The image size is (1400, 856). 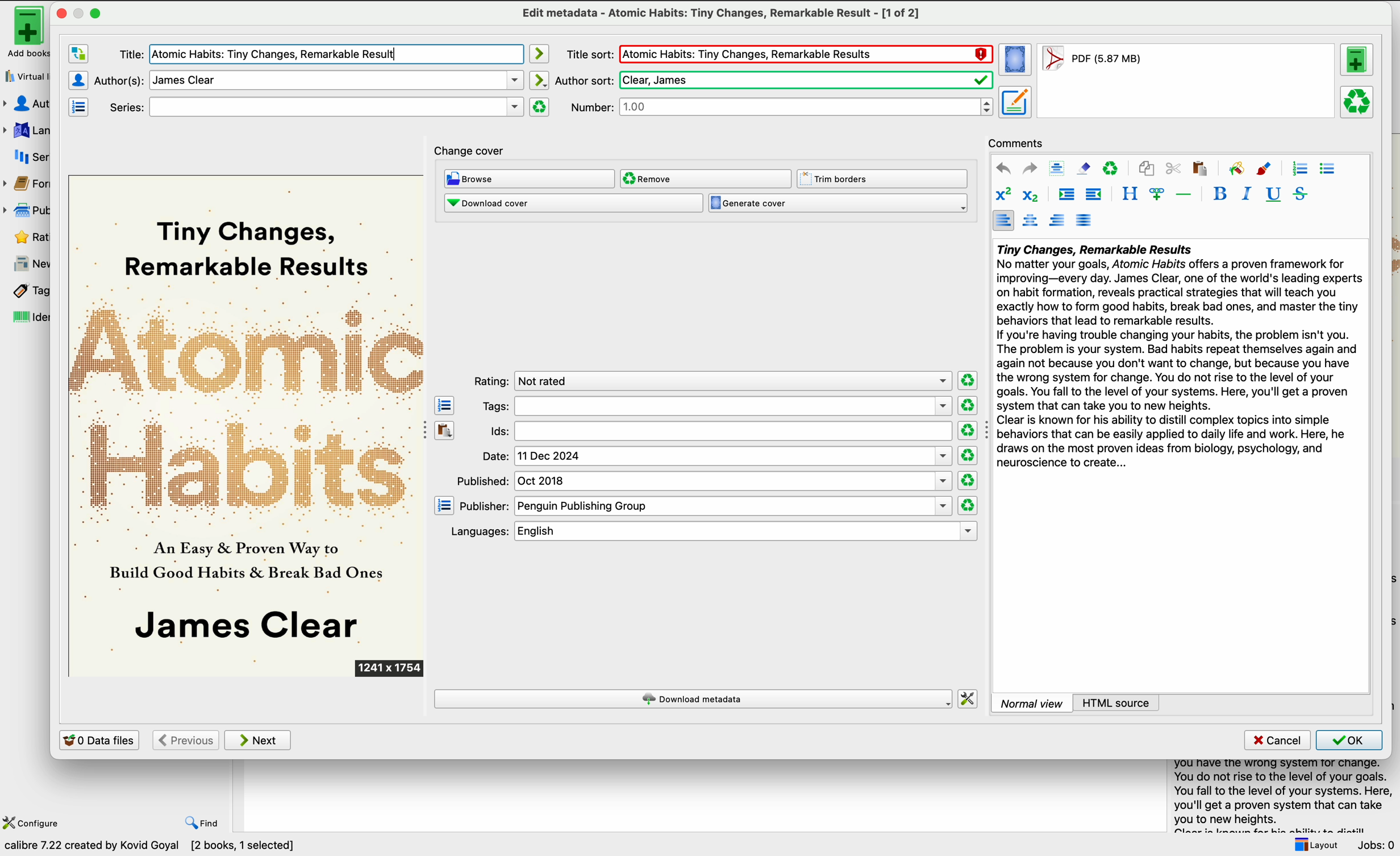 I want to click on author(s), so click(x=308, y=80).